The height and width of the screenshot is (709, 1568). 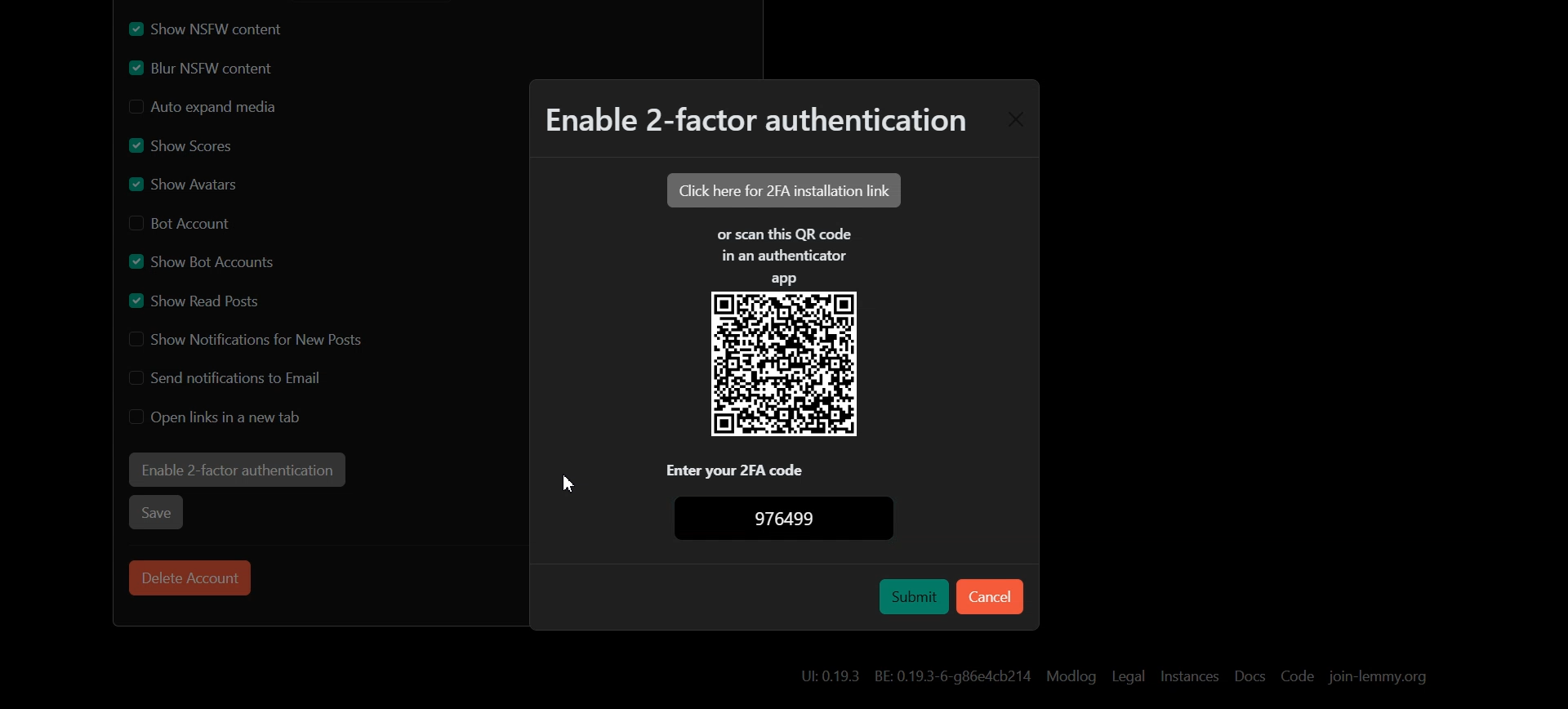 What do you see at coordinates (187, 221) in the screenshot?
I see `Disable Bot Account` at bounding box center [187, 221].